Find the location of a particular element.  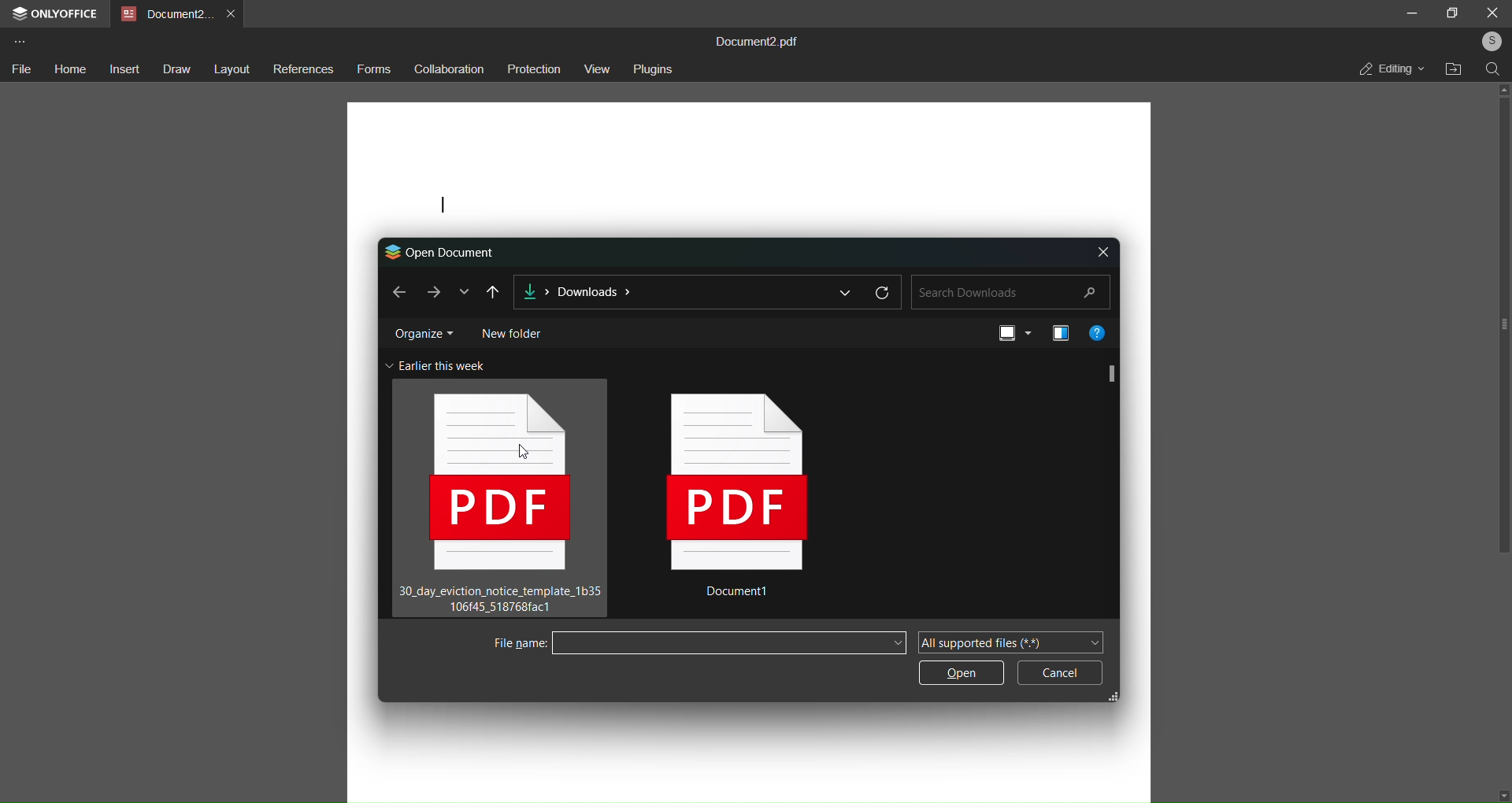

minimize is located at coordinates (1411, 12).